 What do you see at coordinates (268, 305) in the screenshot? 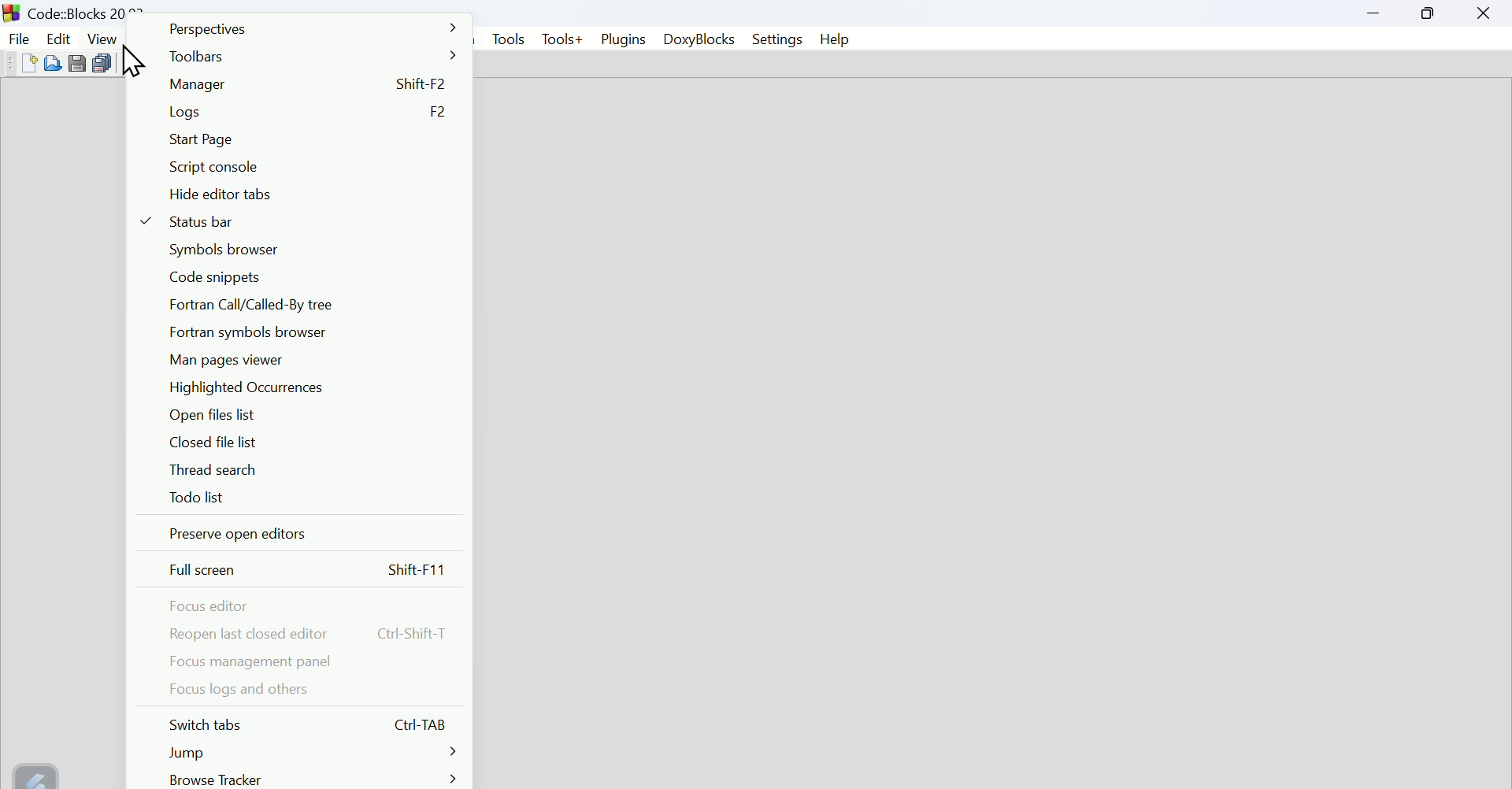
I see `Fortran call` at bounding box center [268, 305].